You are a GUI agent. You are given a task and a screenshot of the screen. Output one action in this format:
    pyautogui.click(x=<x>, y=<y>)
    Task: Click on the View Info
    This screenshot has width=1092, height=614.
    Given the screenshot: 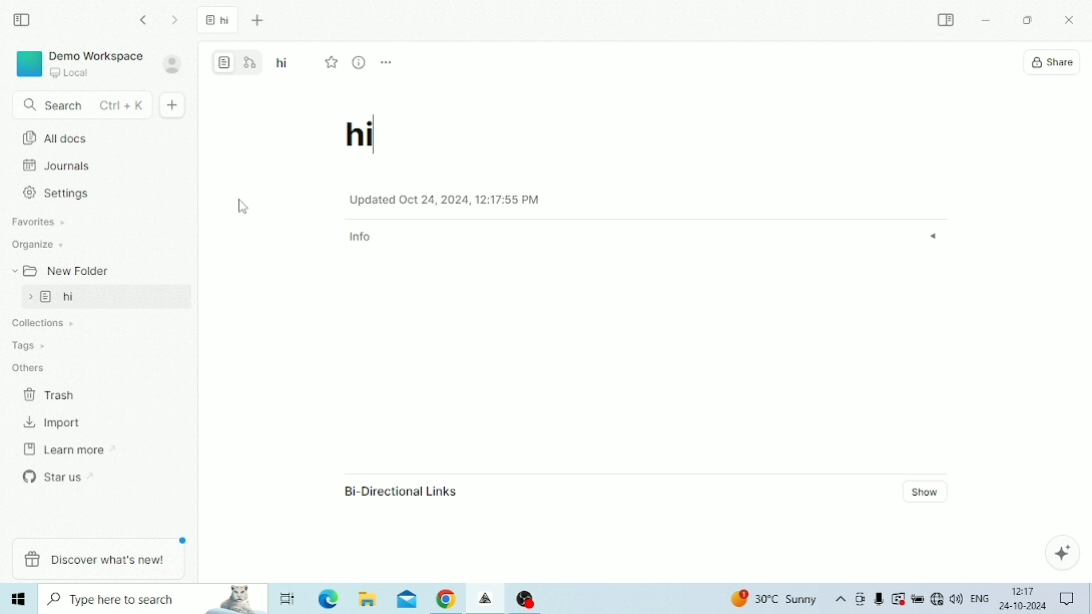 What is the action you would take?
    pyautogui.click(x=360, y=62)
    